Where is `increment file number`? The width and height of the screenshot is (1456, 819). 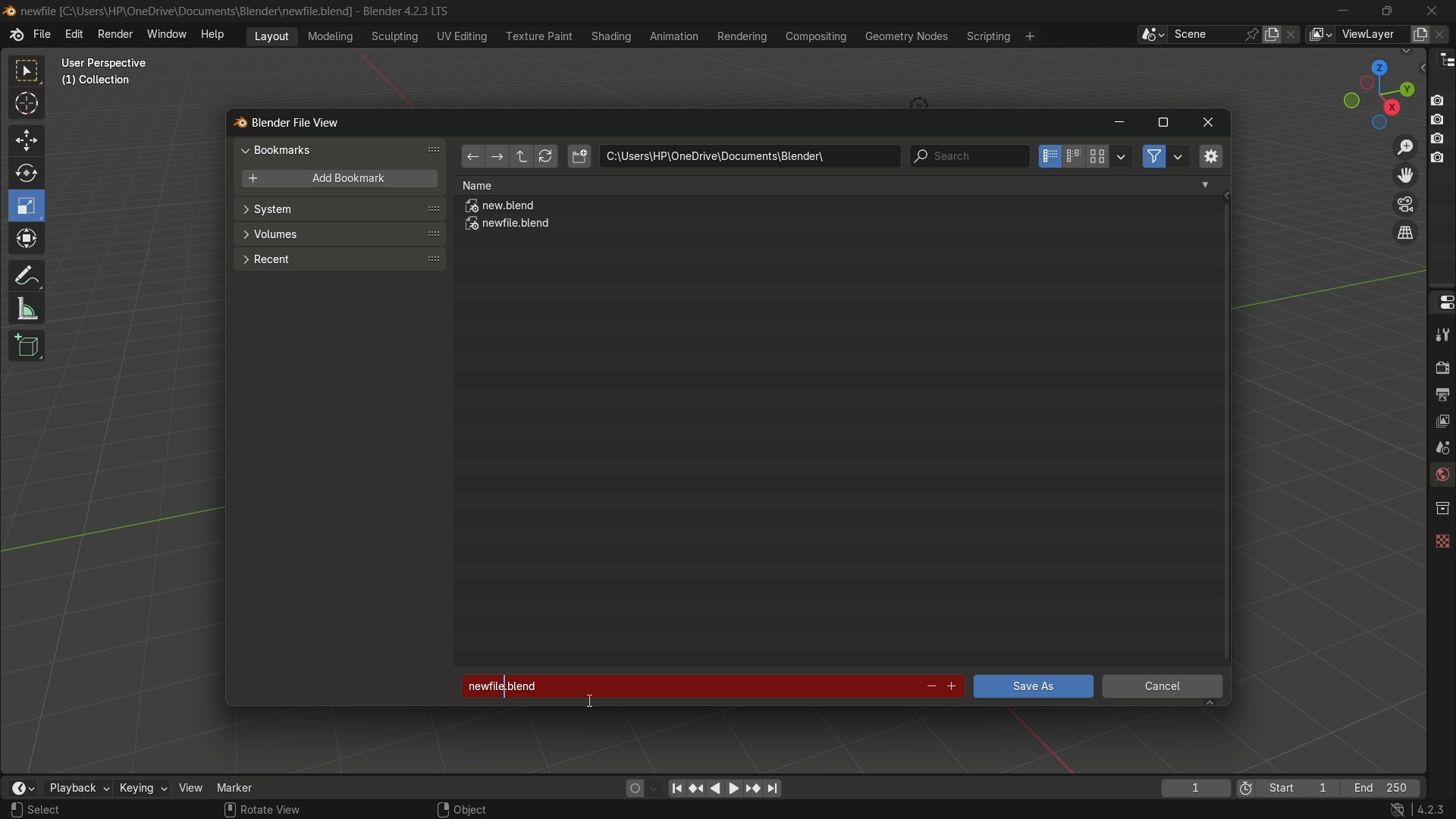
increment file number is located at coordinates (952, 687).